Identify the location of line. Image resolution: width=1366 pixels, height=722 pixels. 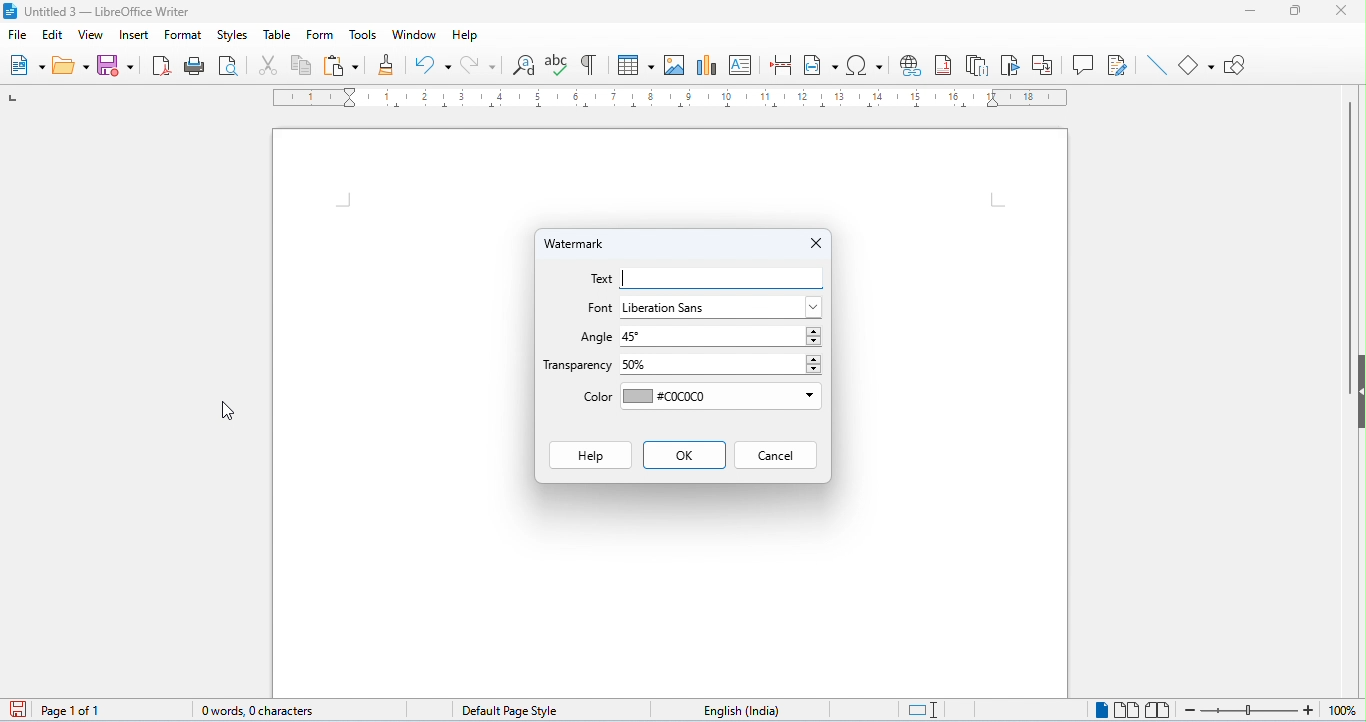
(1157, 65).